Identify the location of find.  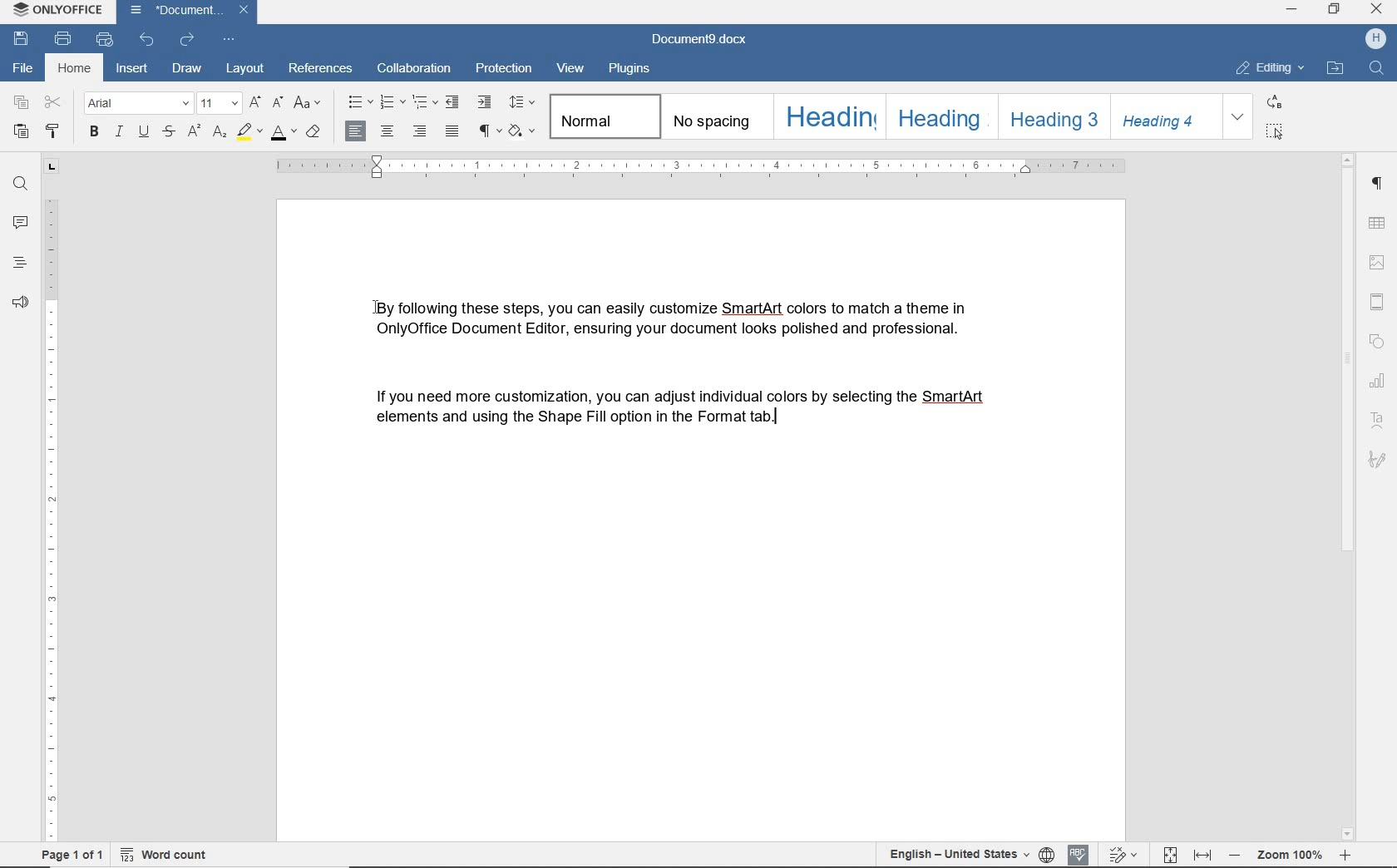
(1379, 71).